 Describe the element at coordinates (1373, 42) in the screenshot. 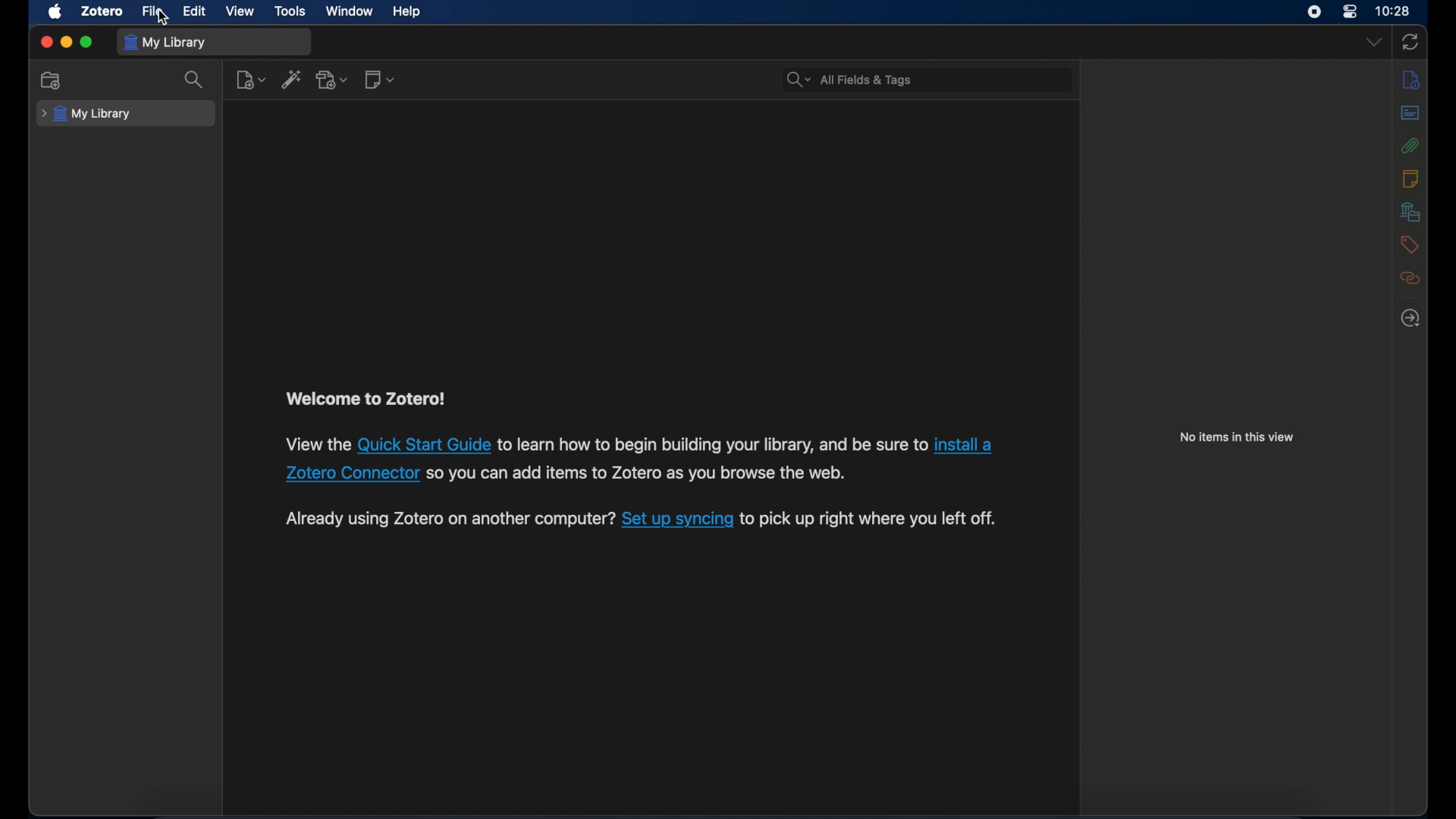

I see `dropdown` at that location.